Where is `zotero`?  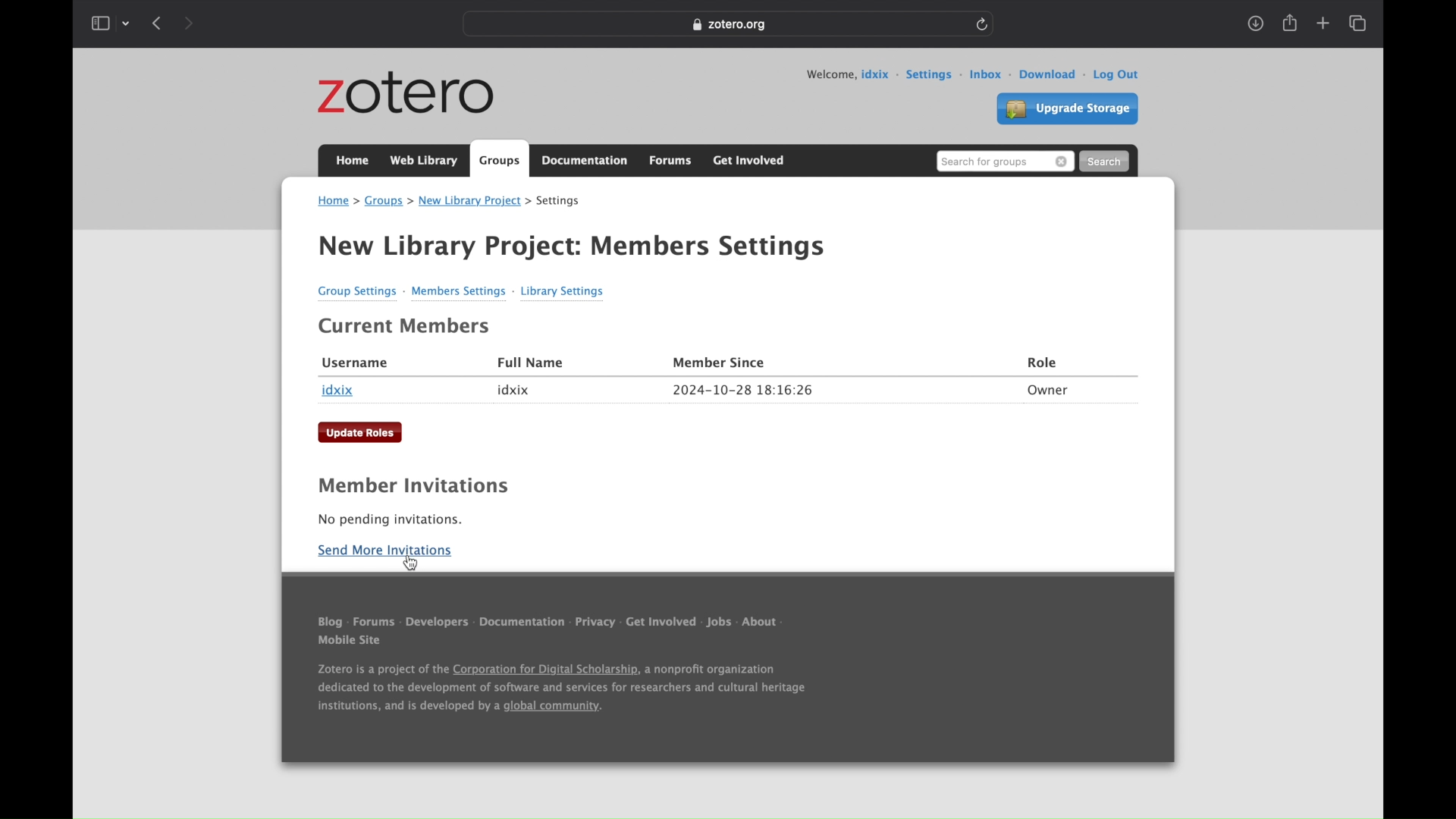 zotero is located at coordinates (408, 95).